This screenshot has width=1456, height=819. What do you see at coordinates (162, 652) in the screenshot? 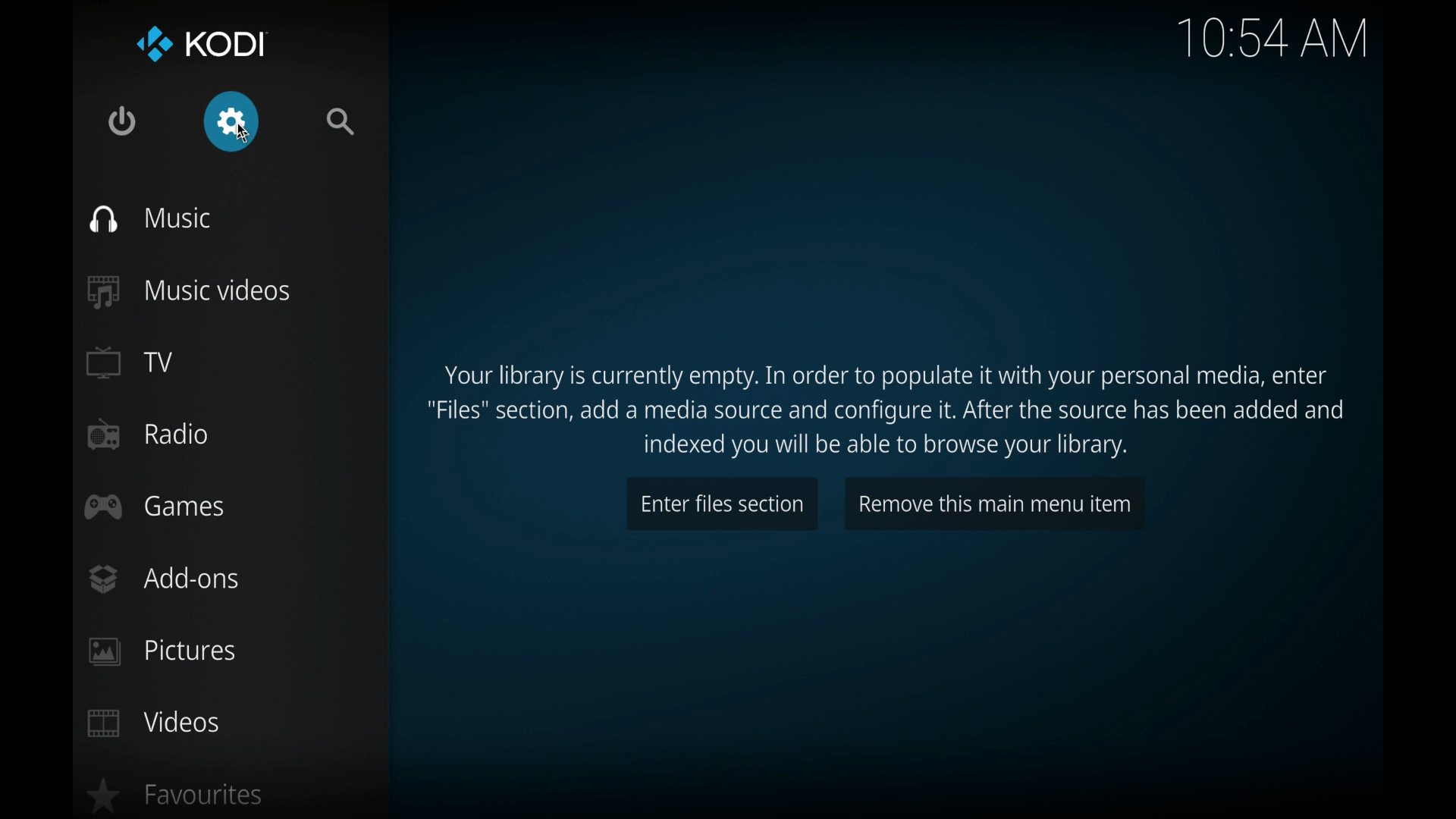
I see `pictures` at bounding box center [162, 652].